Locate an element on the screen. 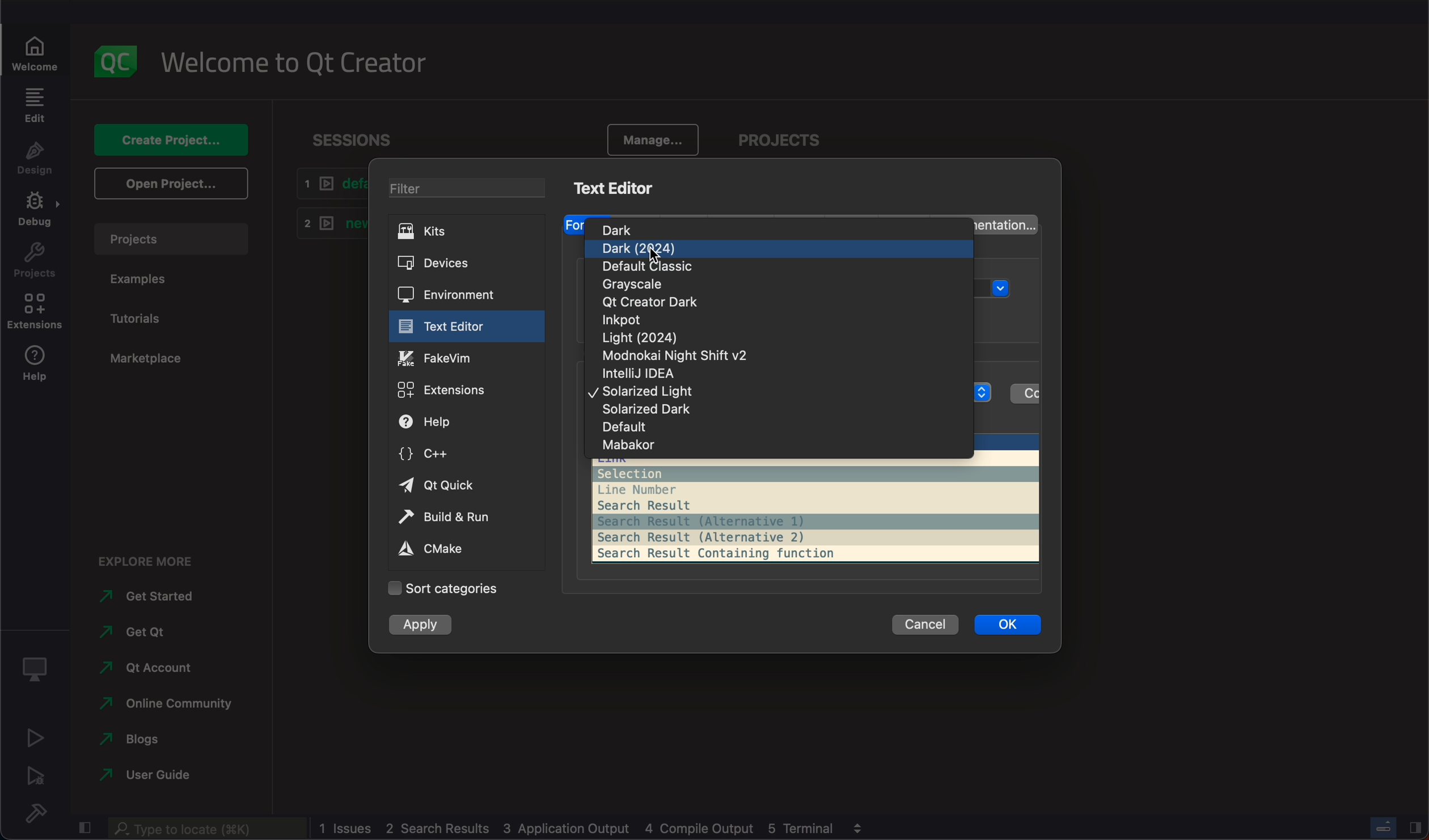  logo is located at coordinates (120, 62).